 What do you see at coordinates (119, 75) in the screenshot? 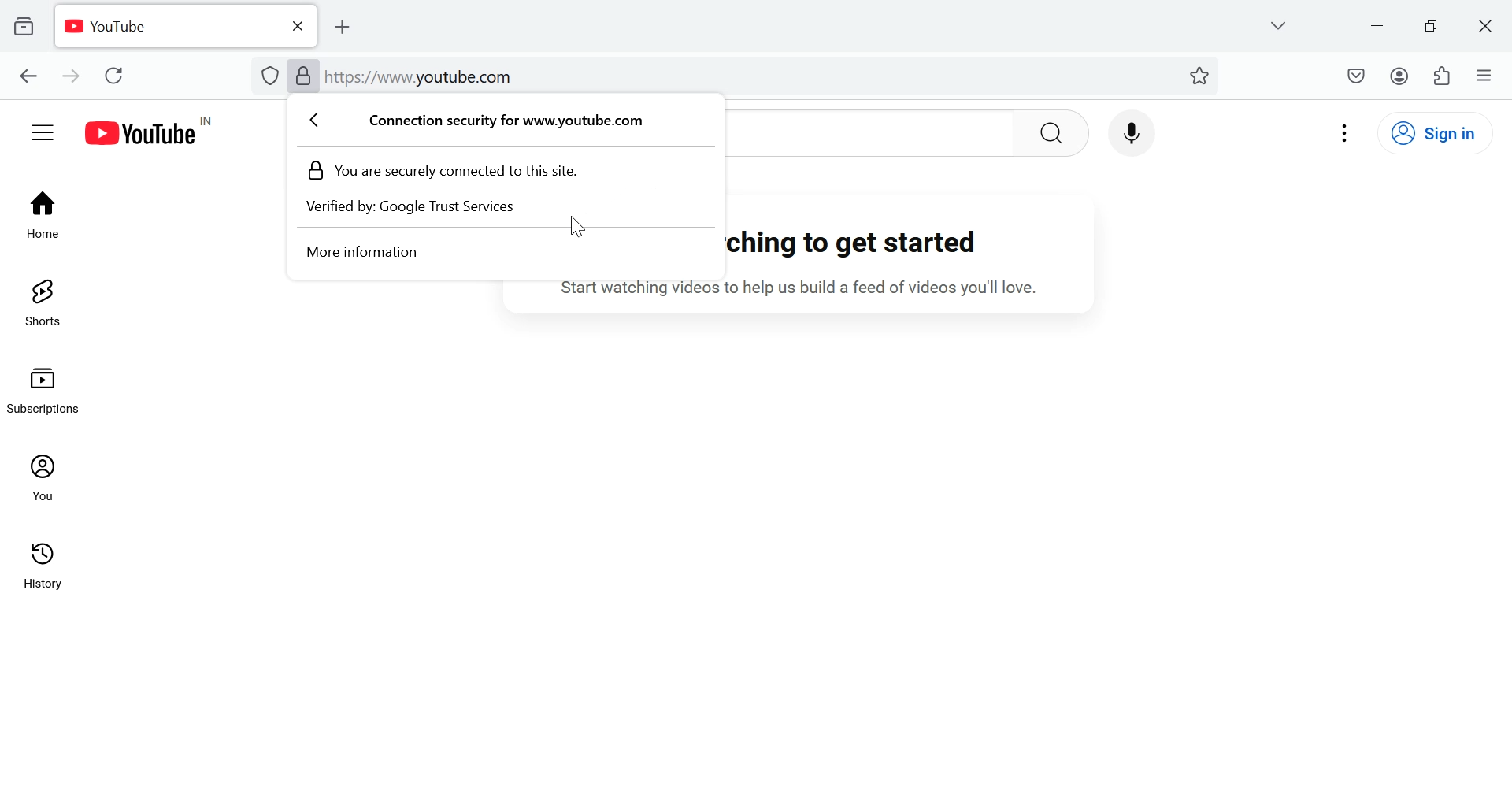
I see `Reload` at bounding box center [119, 75].